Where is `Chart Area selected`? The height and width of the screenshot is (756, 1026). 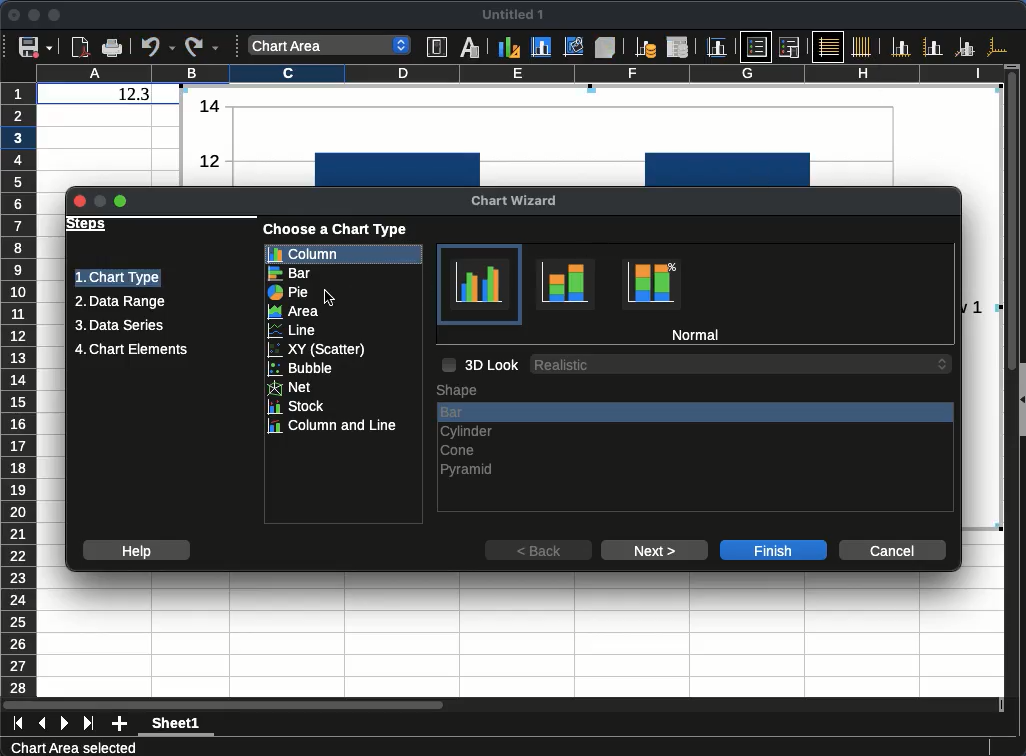
Chart Area selected is located at coordinates (73, 747).